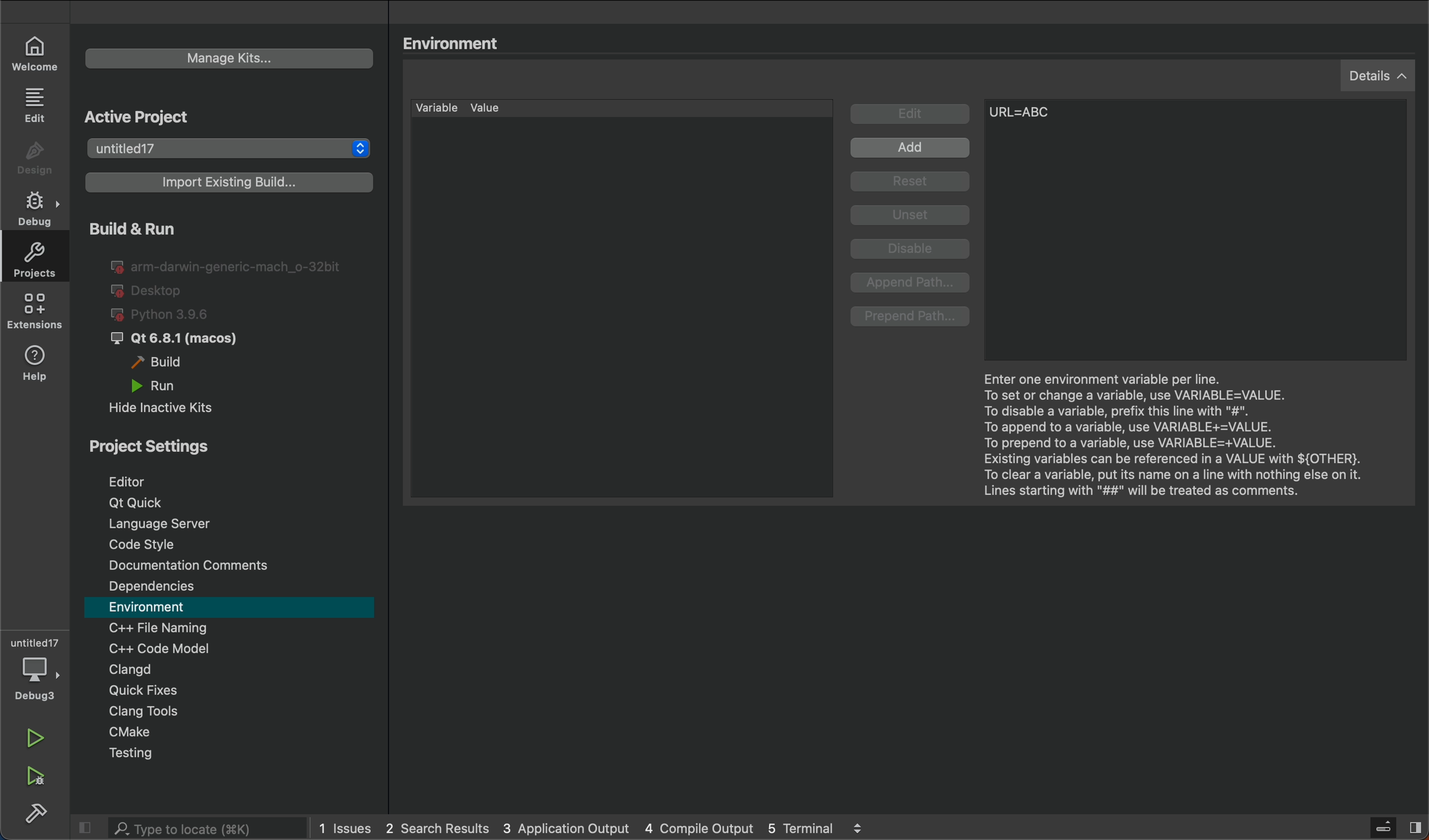 The height and width of the screenshot is (840, 1429). What do you see at coordinates (228, 265) in the screenshot?
I see `I@ arm-darwin-generic-mach_o-32bit` at bounding box center [228, 265].